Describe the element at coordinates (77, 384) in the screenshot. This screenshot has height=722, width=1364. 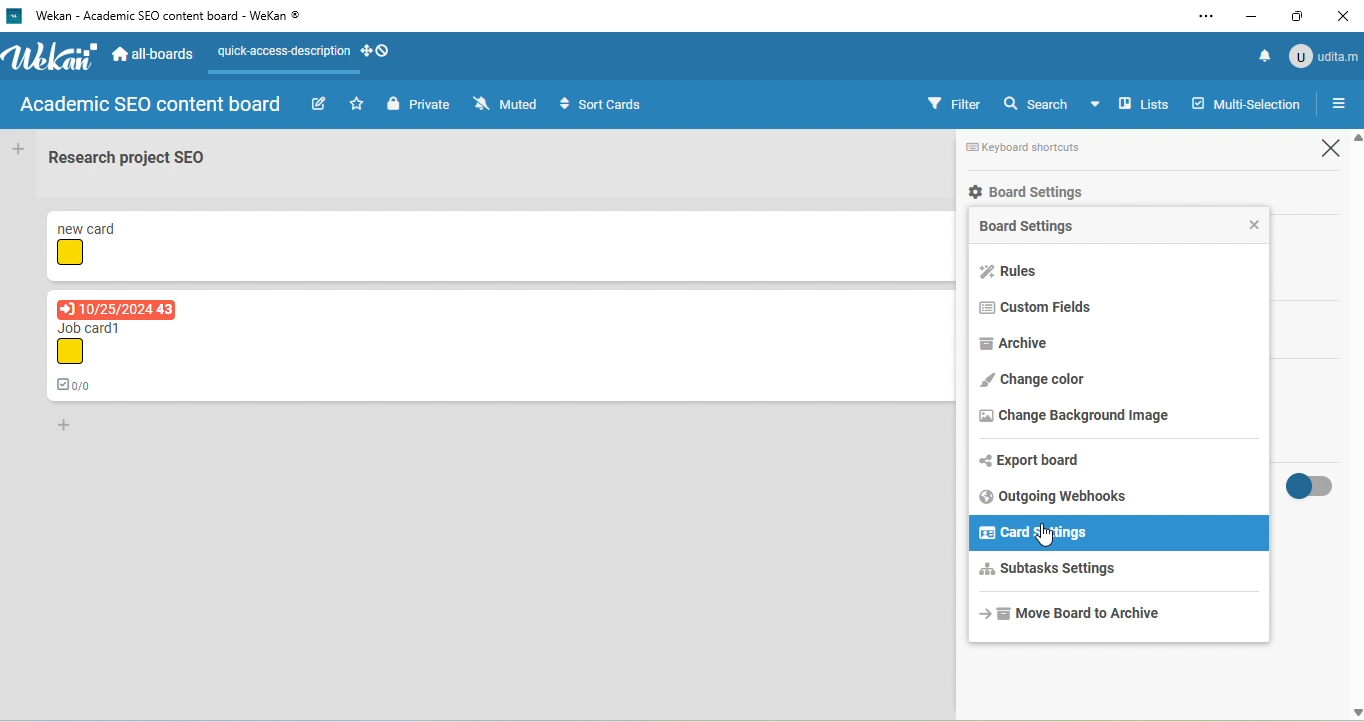
I see `0/0` at that location.